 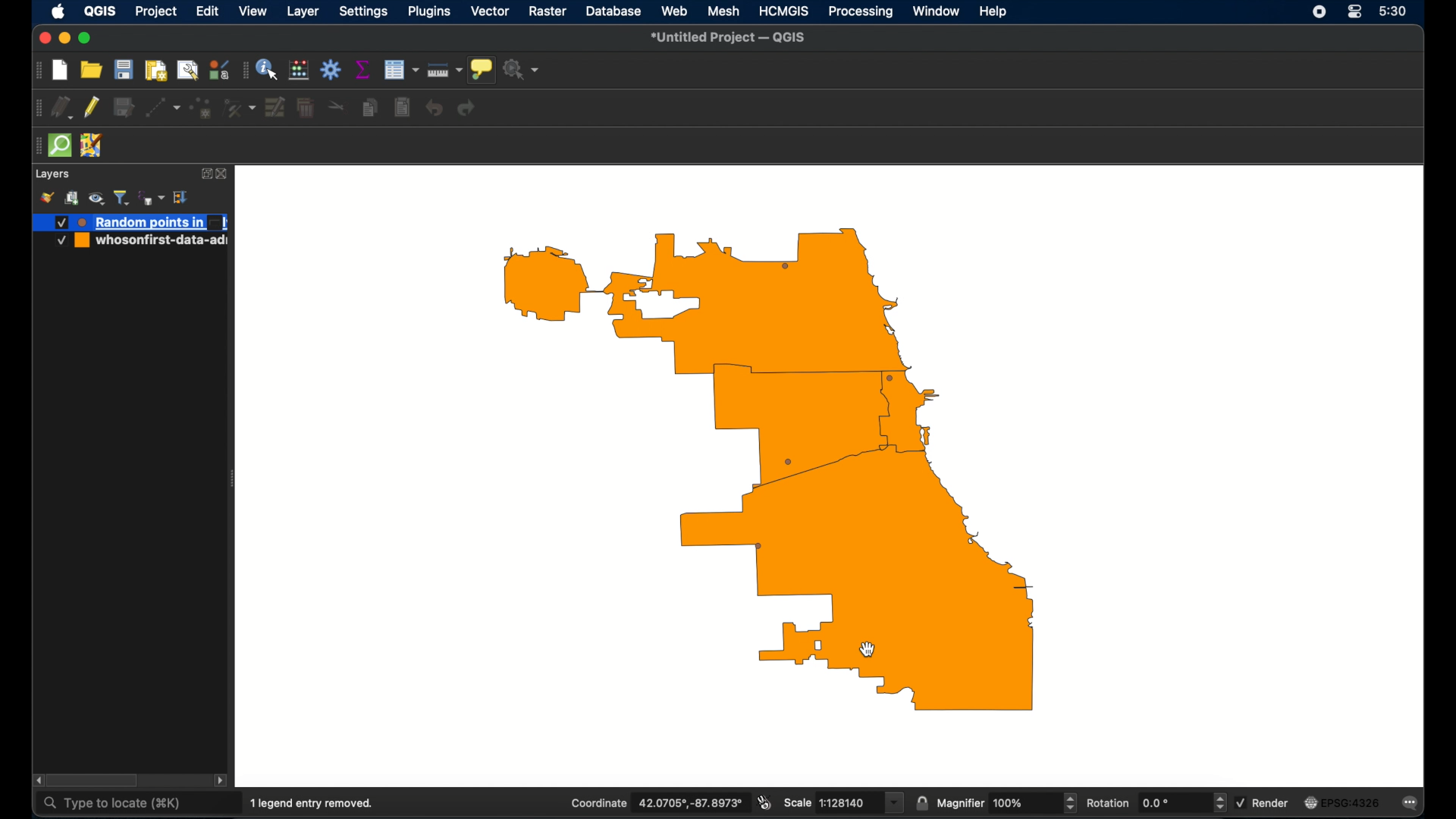 I want to click on mesh, so click(x=723, y=12).